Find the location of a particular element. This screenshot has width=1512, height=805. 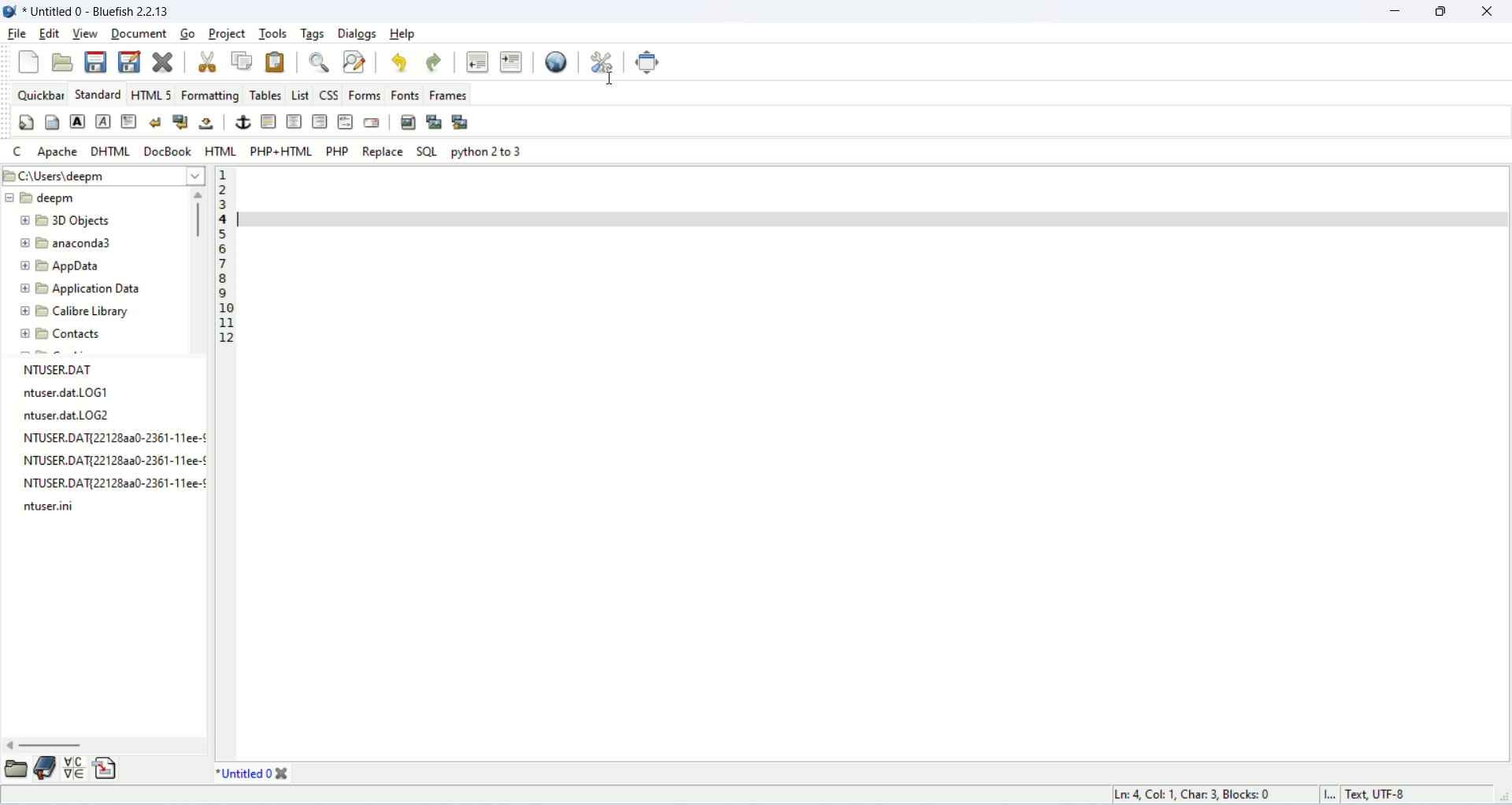

folder is located at coordinates (15, 770).